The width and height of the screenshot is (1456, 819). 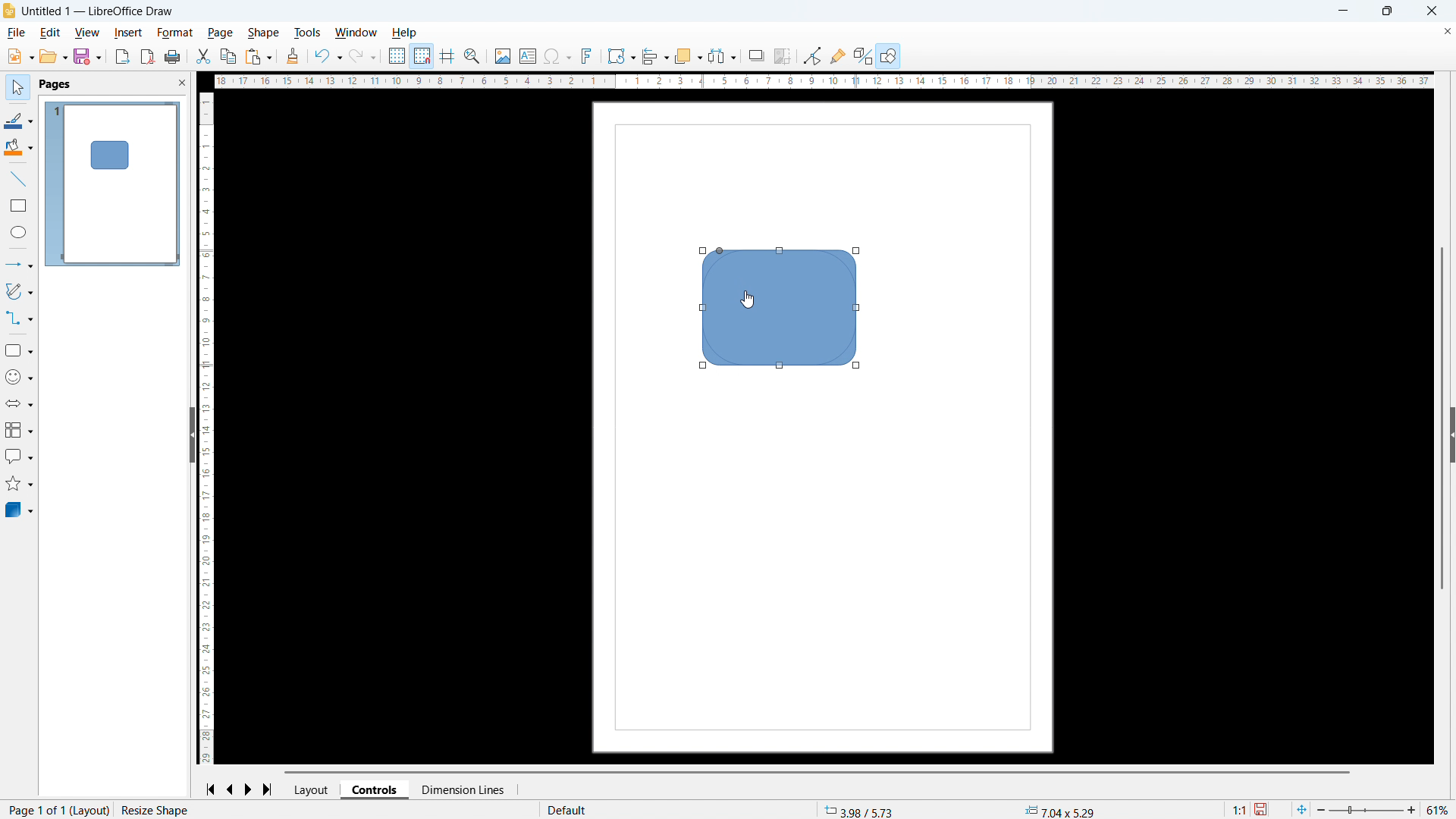 I want to click on new , so click(x=20, y=56).